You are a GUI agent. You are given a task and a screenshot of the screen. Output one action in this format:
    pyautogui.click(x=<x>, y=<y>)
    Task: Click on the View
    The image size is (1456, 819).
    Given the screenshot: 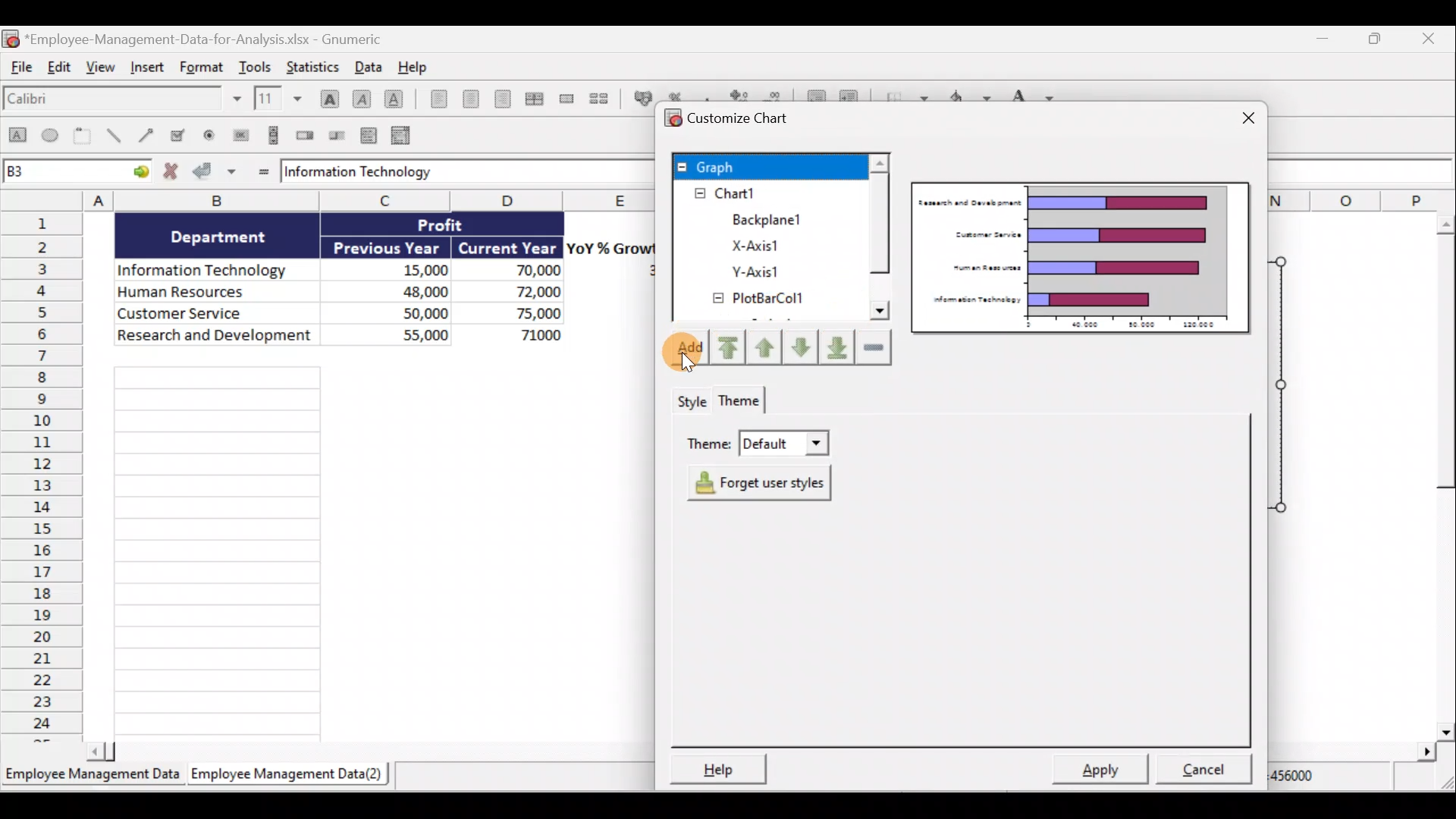 What is the action you would take?
    pyautogui.click(x=101, y=67)
    